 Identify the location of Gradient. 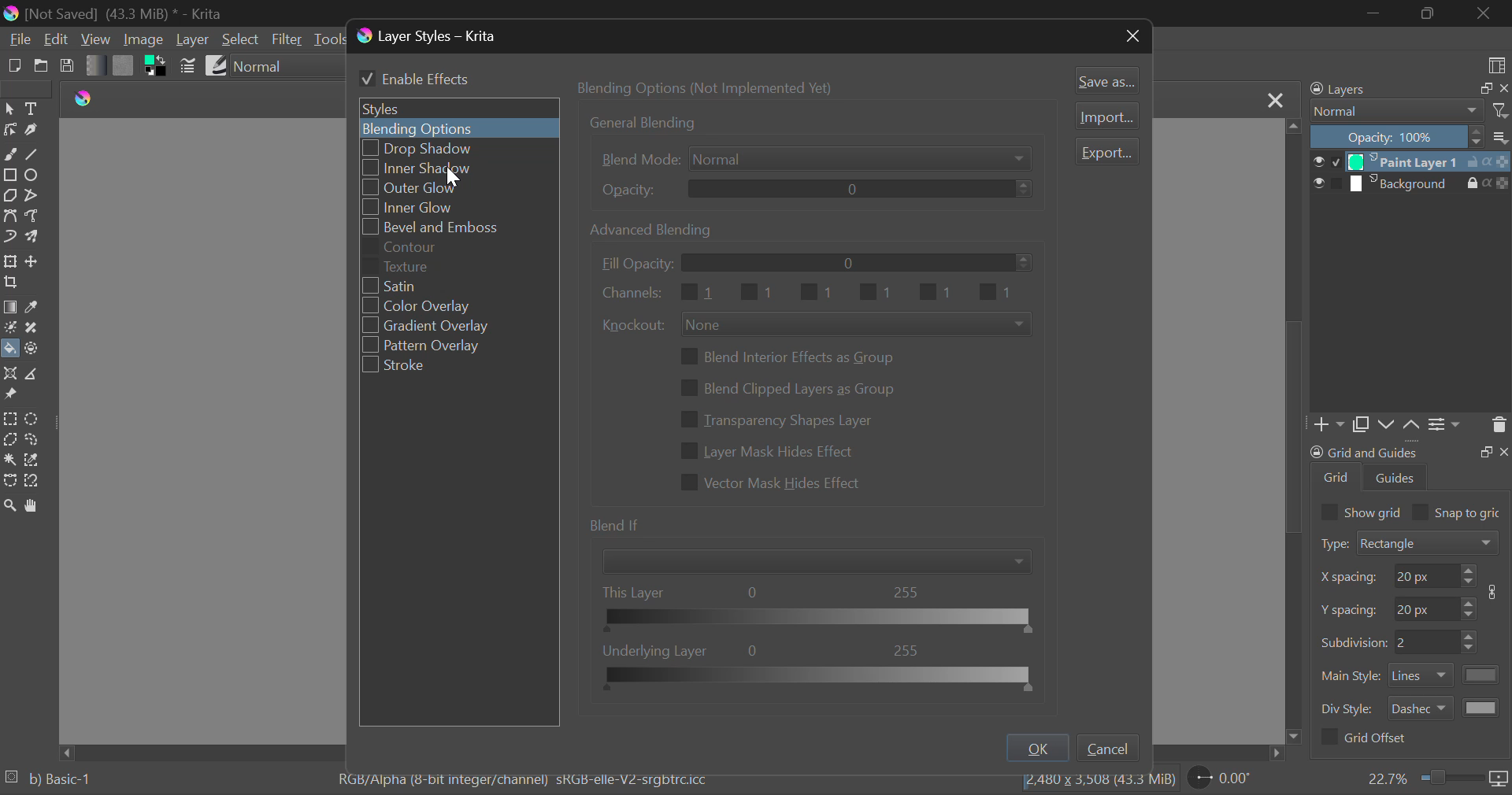
(91, 65).